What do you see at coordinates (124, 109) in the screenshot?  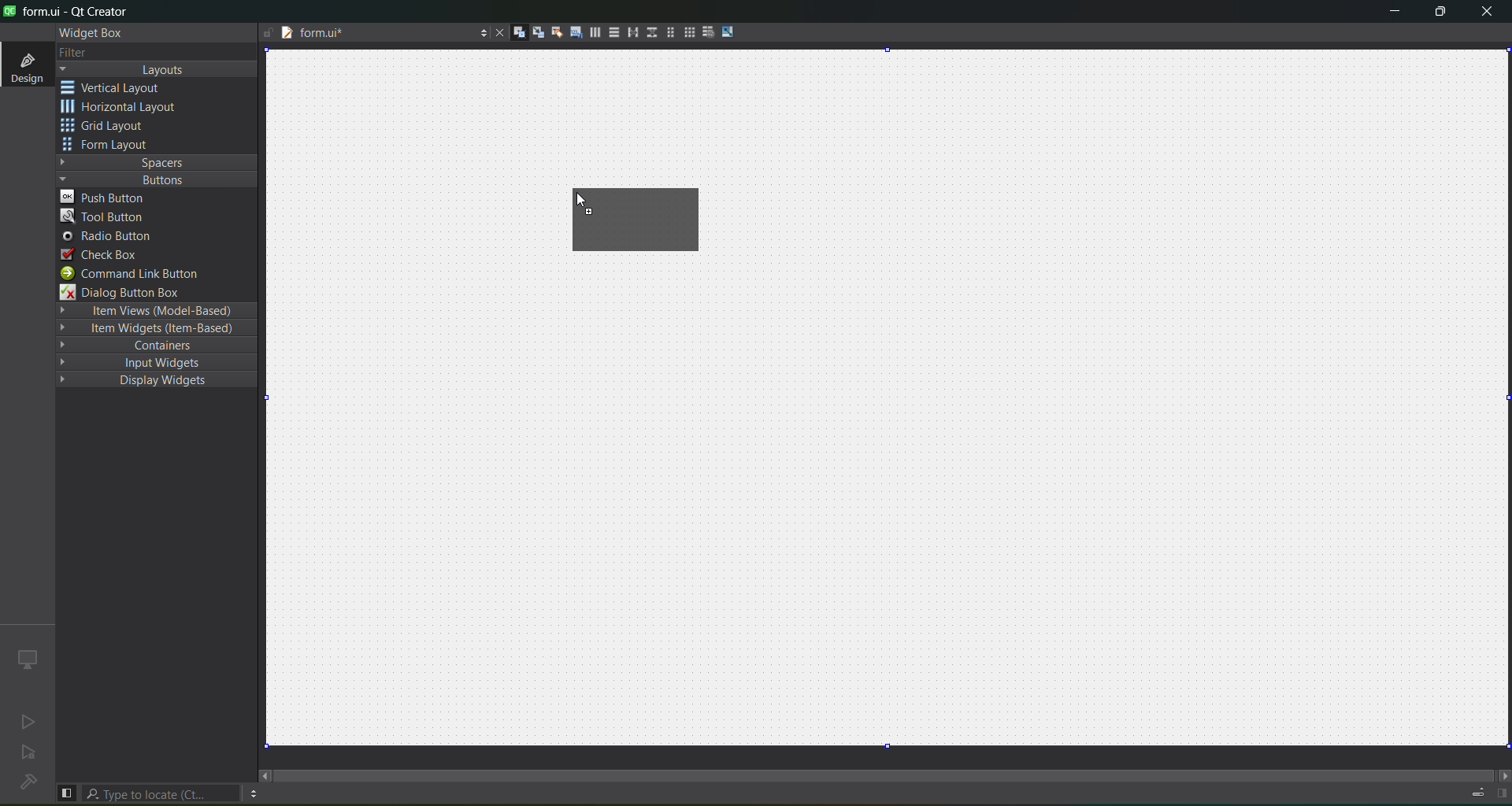 I see `horizontal layout` at bounding box center [124, 109].